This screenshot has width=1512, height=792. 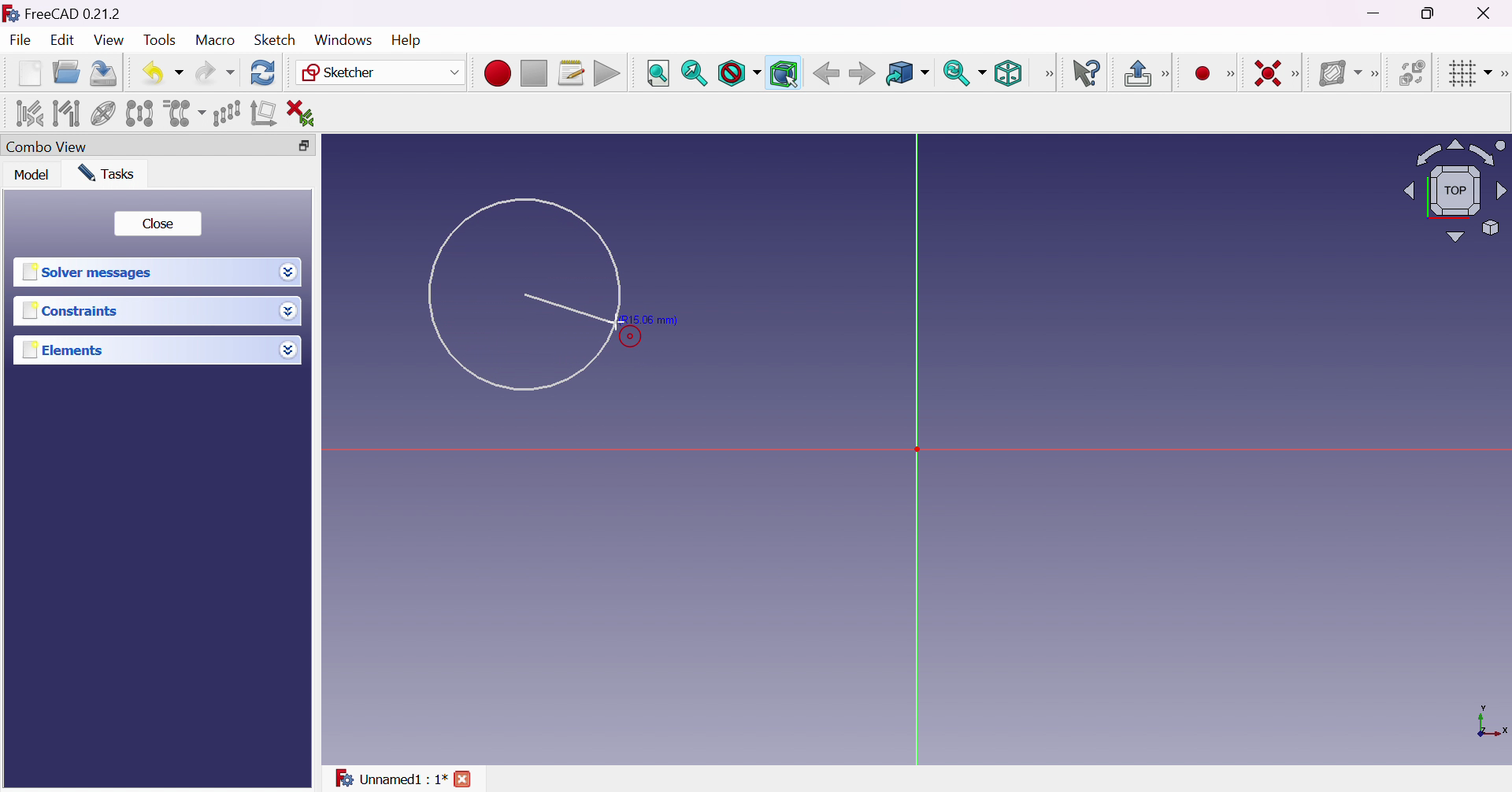 What do you see at coordinates (65, 350) in the screenshot?
I see `Elements` at bounding box center [65, 350].